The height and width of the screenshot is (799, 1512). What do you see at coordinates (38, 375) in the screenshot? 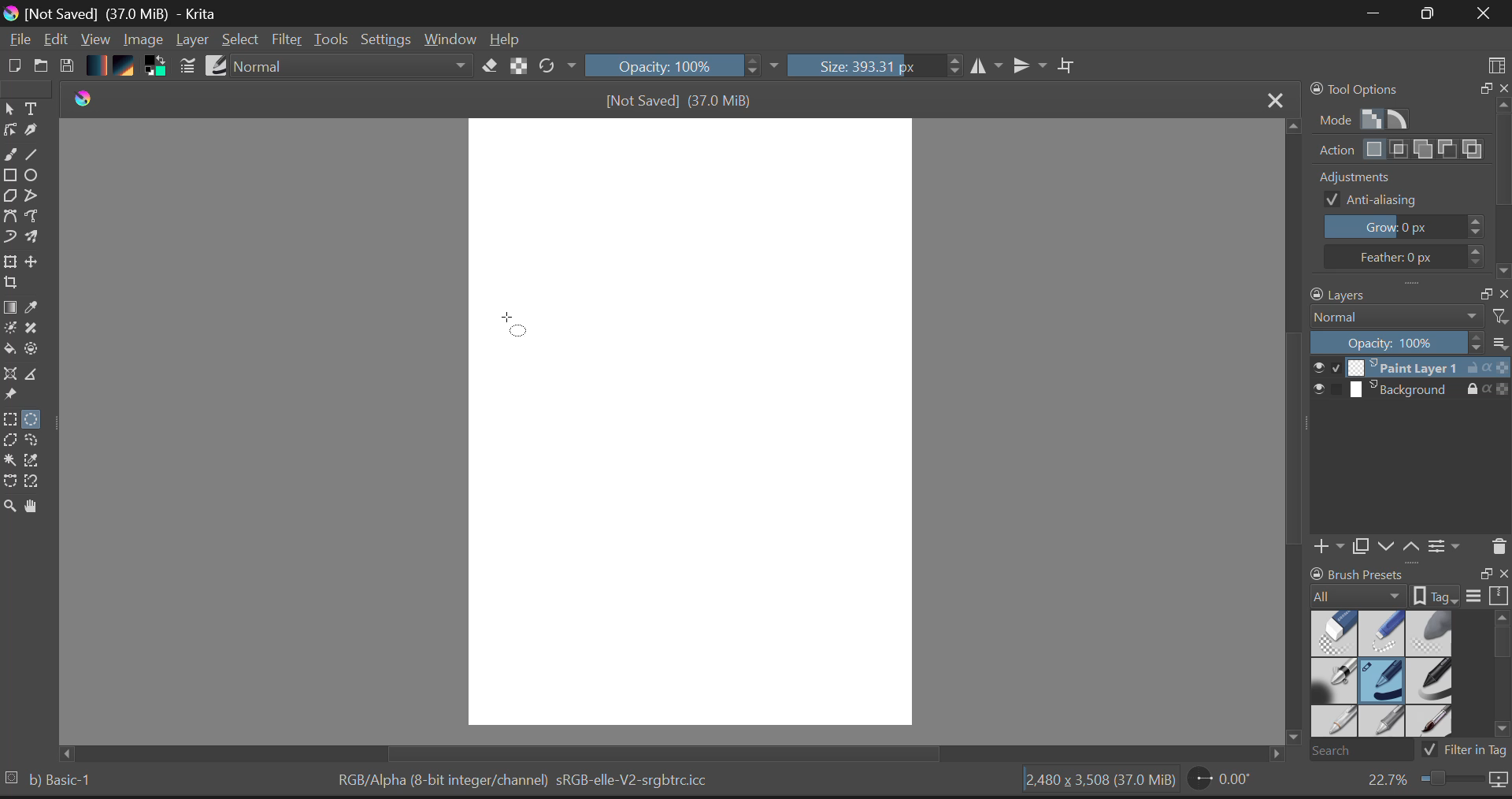
I see `Measurements` at bounding box center [38, 375].